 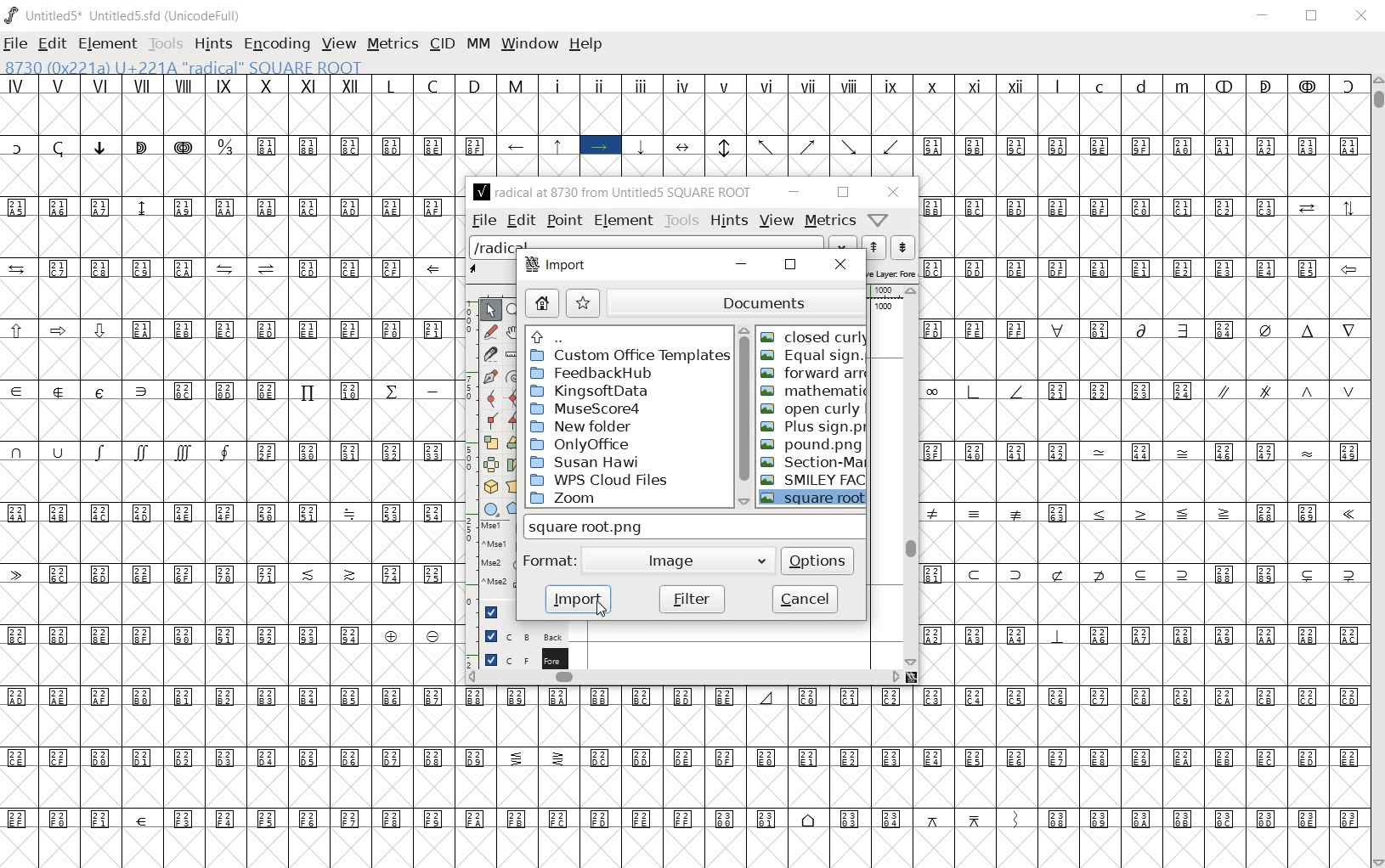 What do you see at coordinates (493, 612) in the screenshot?
I see `Guide` at bounding box center [493, 612].